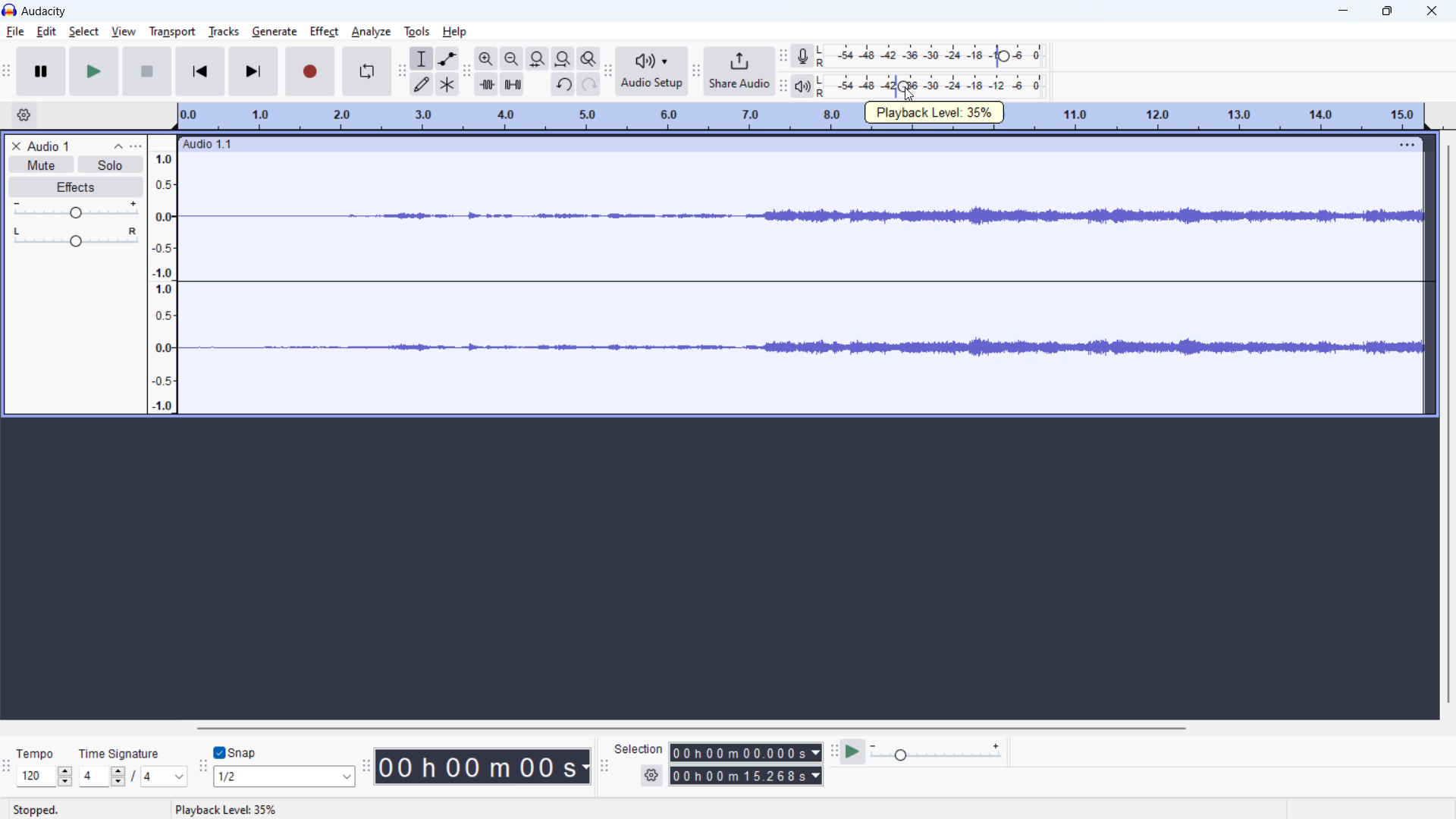  I want to click on volume, so click(75, 209).